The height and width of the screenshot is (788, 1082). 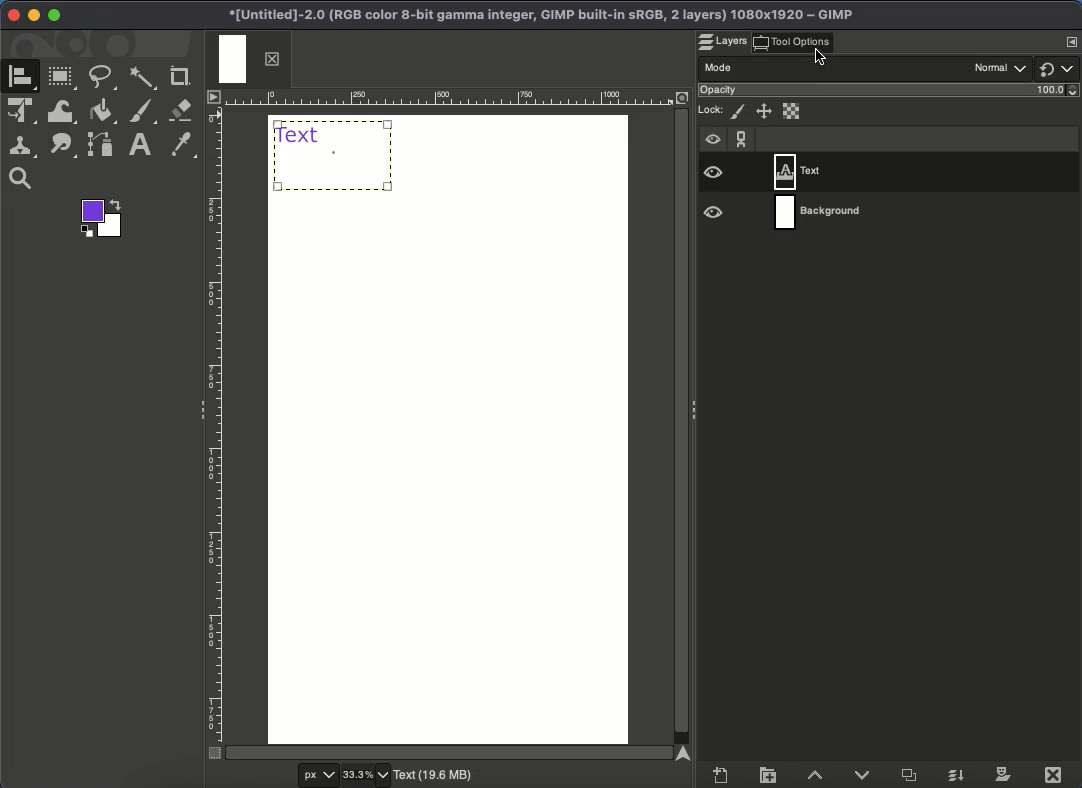 What do you see at coordinates (742, 138) in the screenshot?
I see `Chain` at bounding box center [742, 138].